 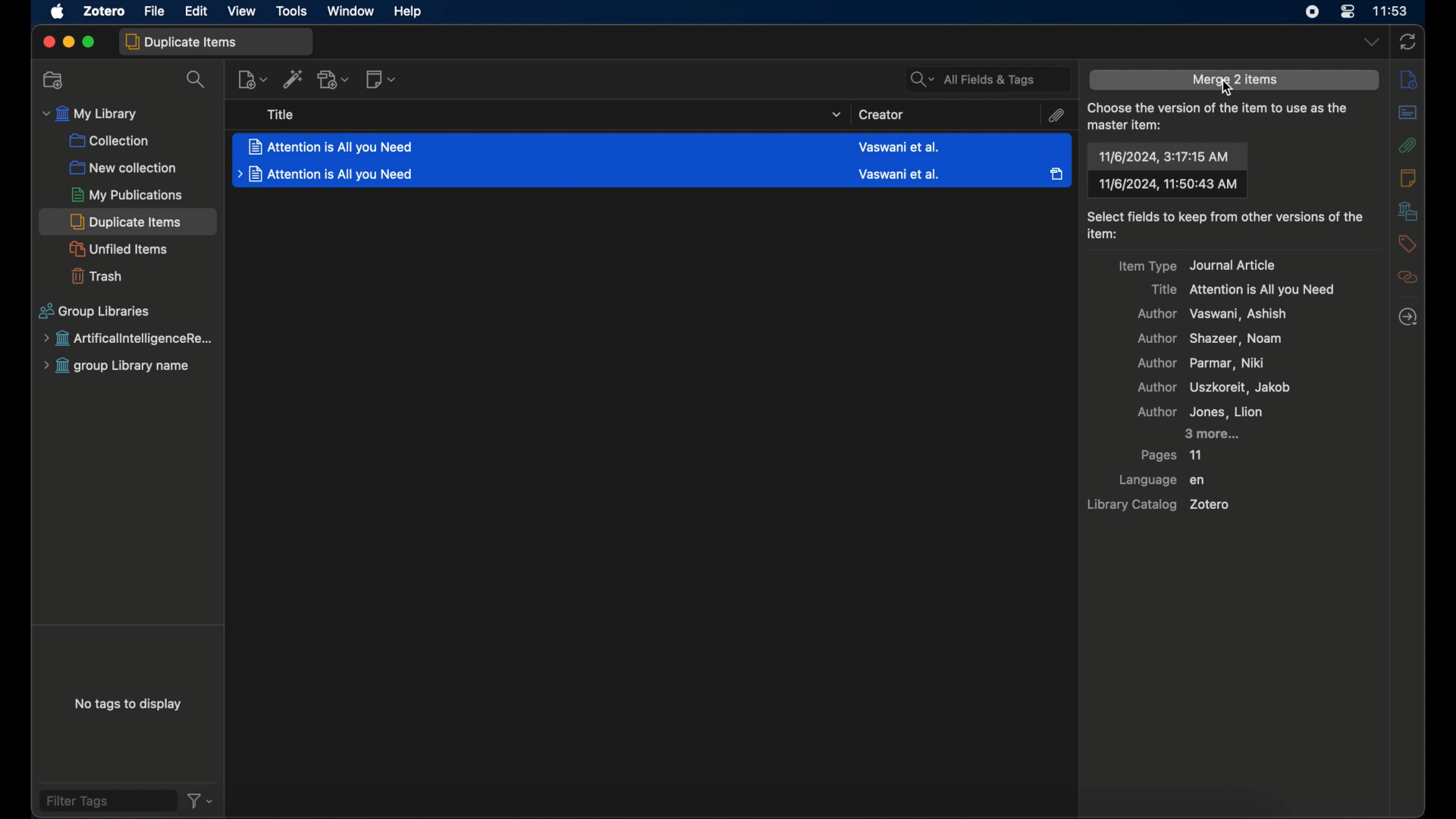 I want to click on apple icon, so click(x=58, y=12).